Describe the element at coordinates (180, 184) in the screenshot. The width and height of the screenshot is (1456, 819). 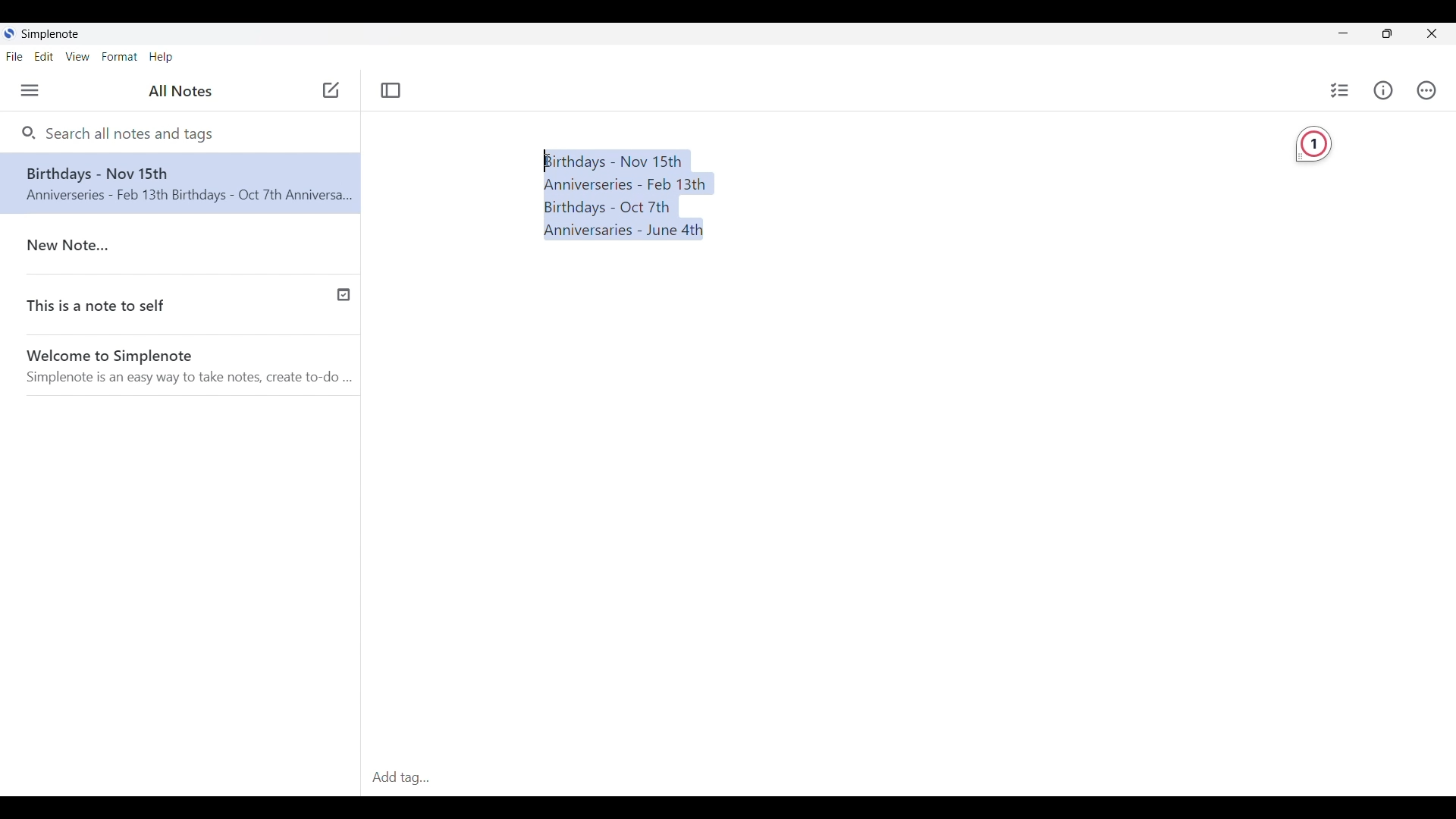
I see `Note text changed` at that location.